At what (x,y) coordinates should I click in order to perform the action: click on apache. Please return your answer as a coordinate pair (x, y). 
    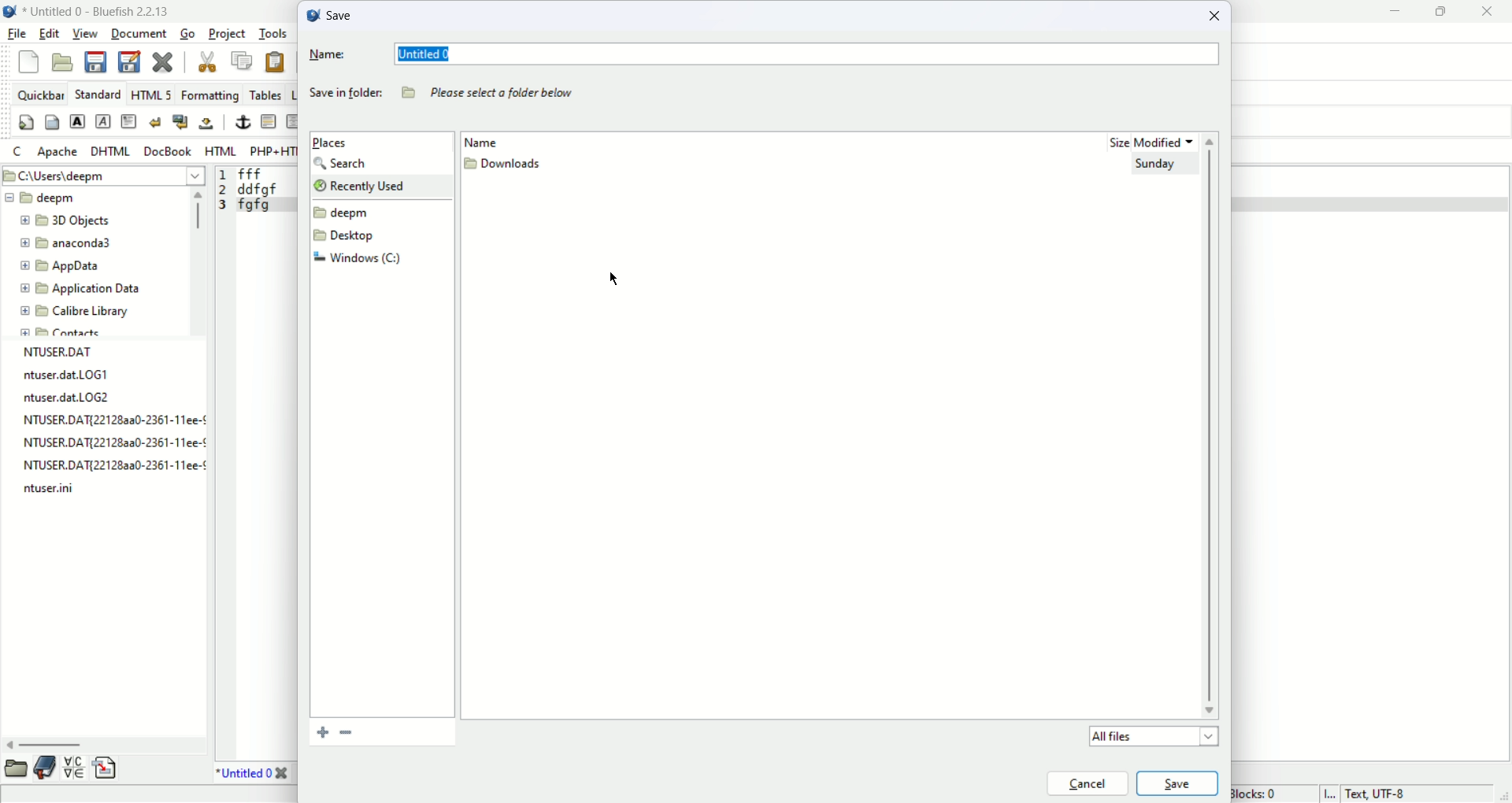
    Looking at the image, I should click on (61, 155).